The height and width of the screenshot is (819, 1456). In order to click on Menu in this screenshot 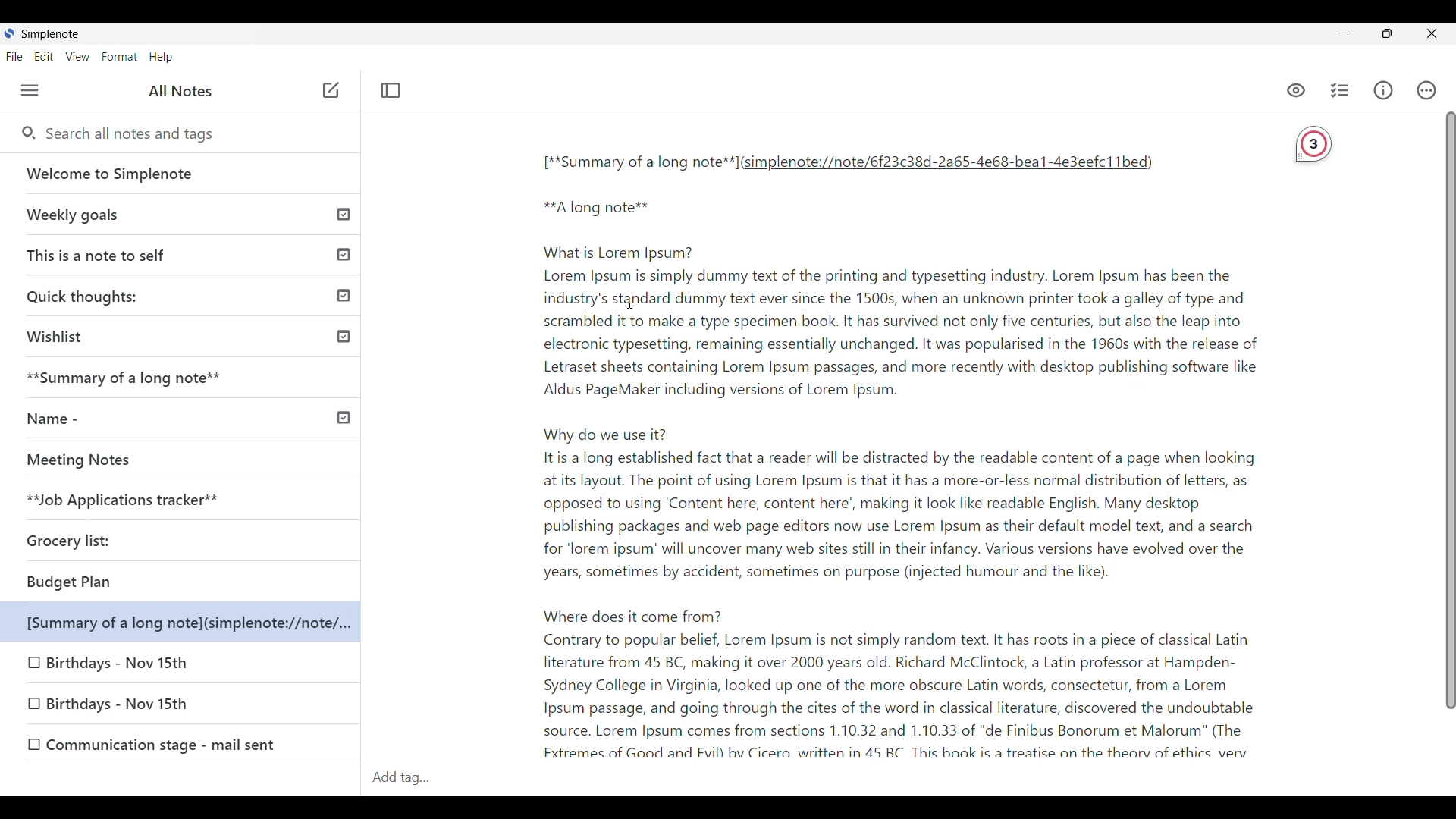, I will do `click(30, 90)`.